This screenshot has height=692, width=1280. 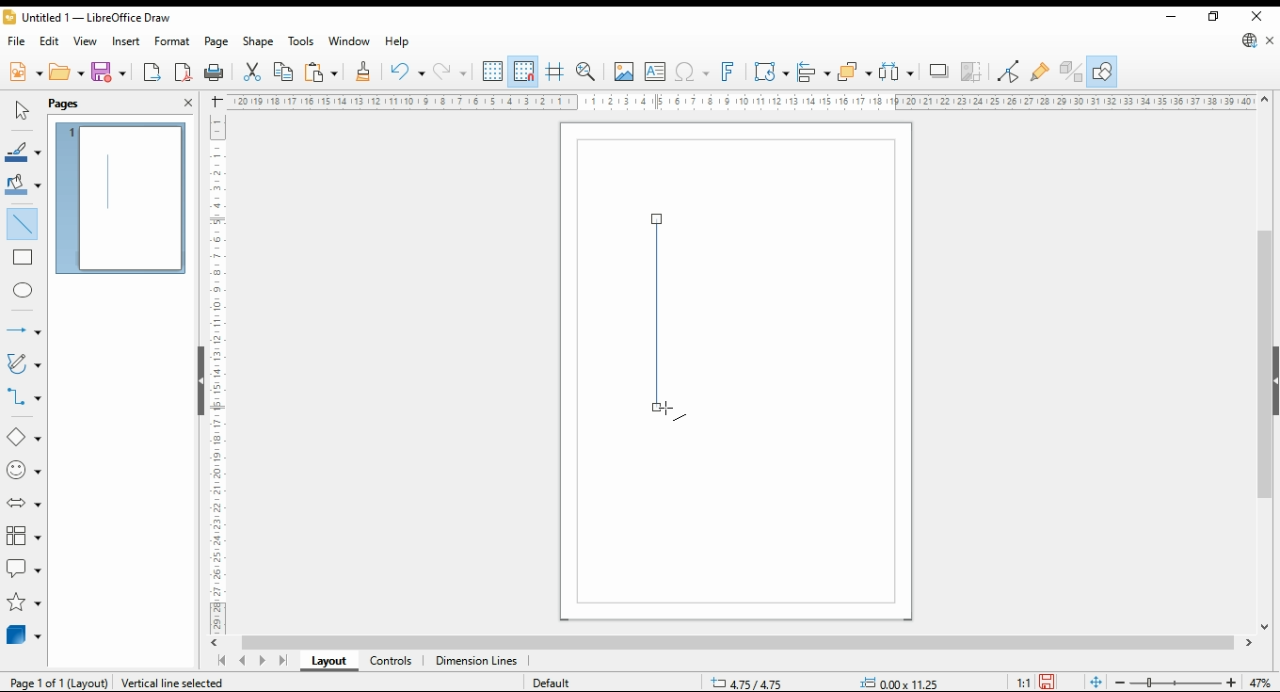 What do you see at coordinates (1118, 681) in the screenshot?
I see `decrease zoom` at bounding box center [1118, 681].